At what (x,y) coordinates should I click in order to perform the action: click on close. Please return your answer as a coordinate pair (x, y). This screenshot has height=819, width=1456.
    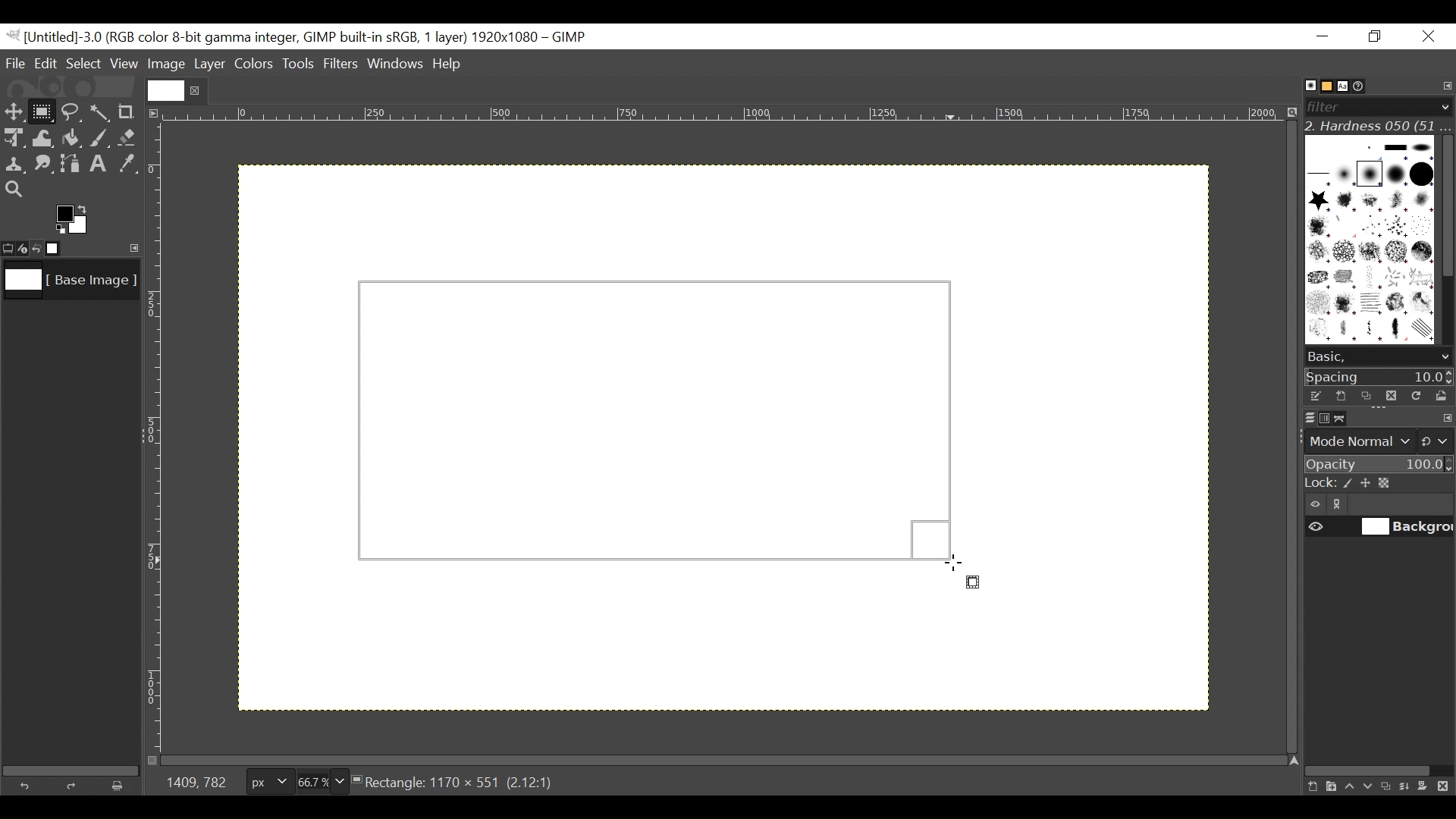
    Looking at the image, I should click on (197, 90).